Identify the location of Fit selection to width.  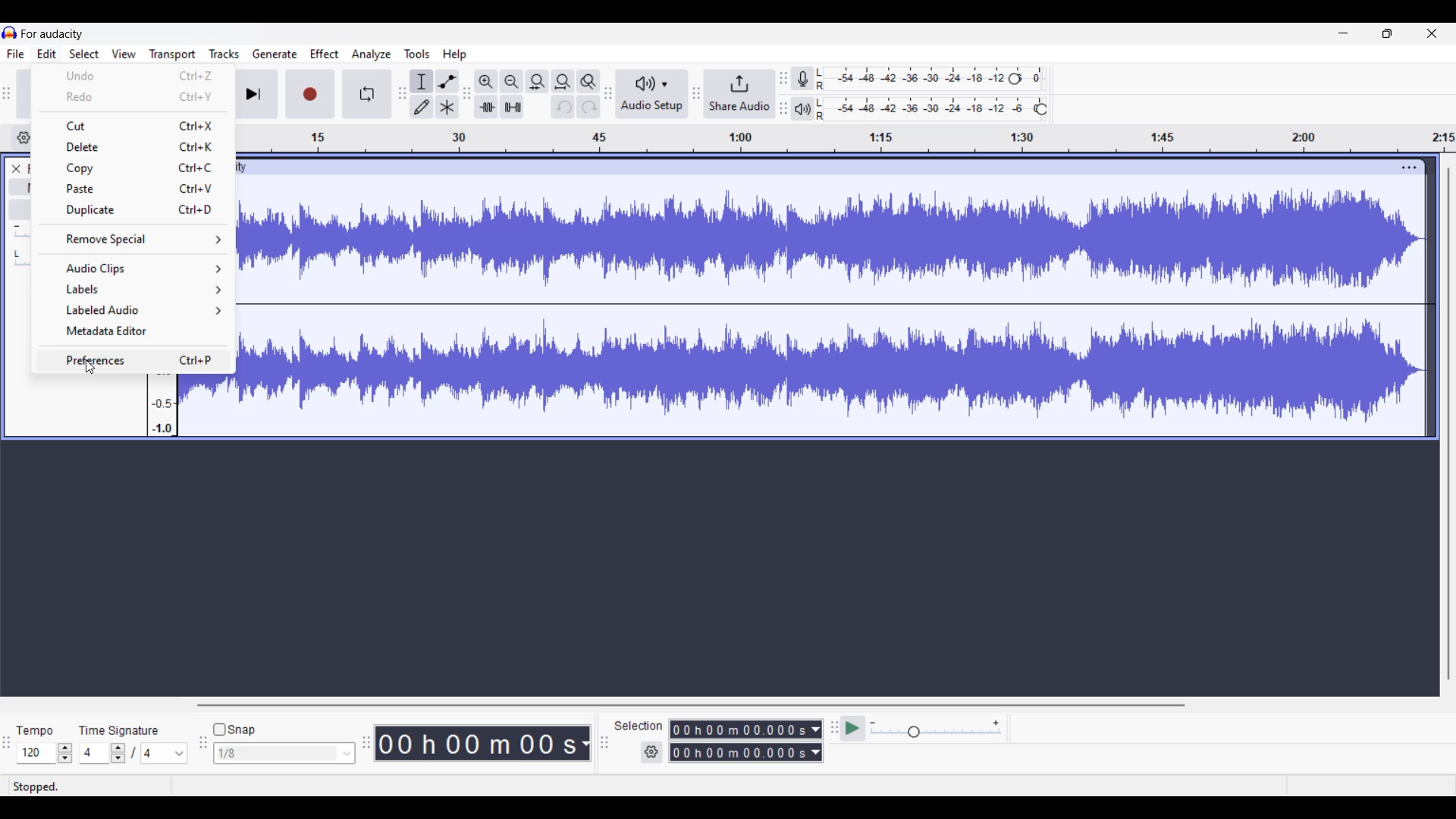
(537, 81).